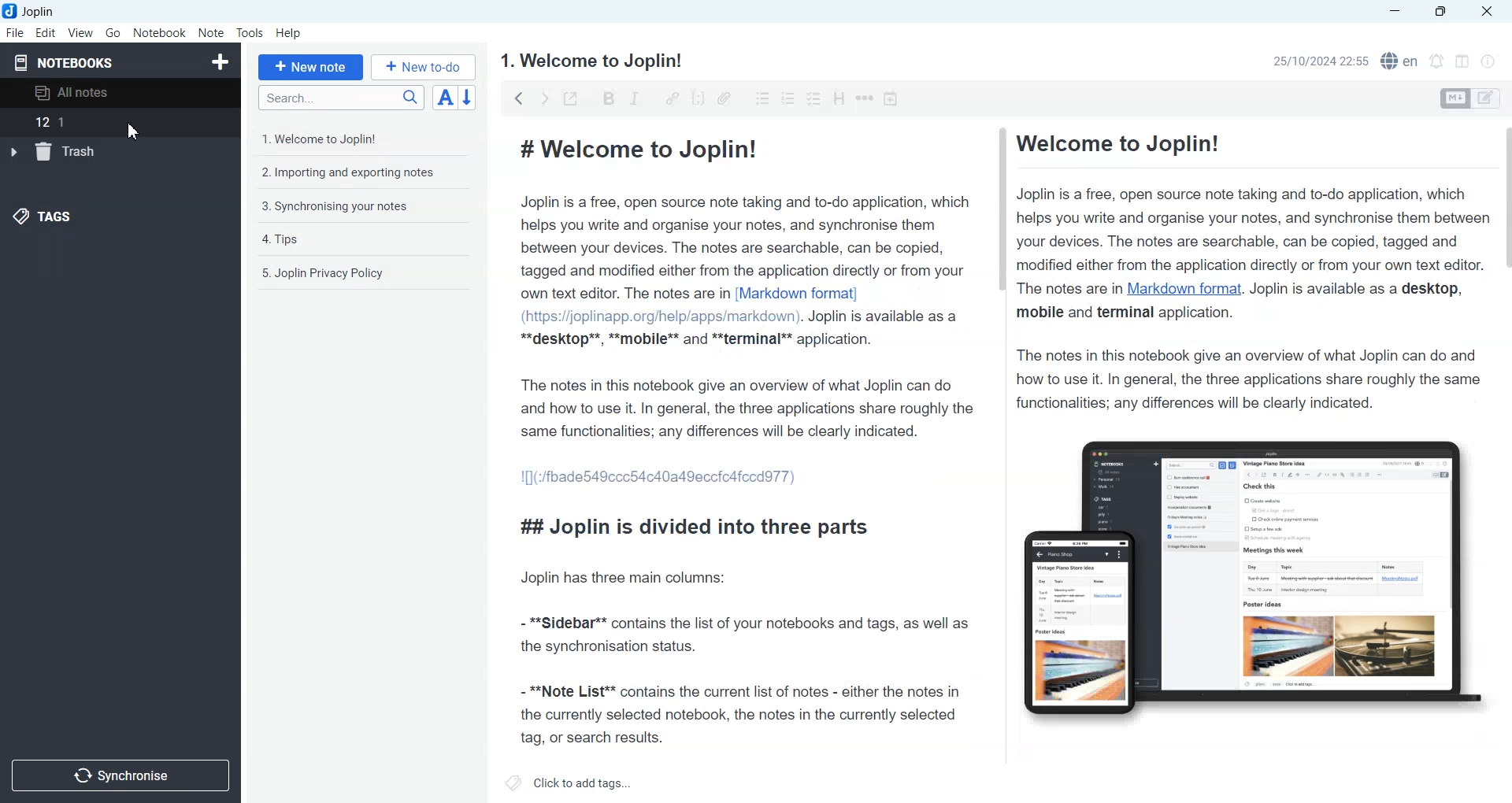 This screenshot has height=803, width=1512. Describe the element at coordinates (1437, 61) in the screenshot. I see `Set timer` at that location.